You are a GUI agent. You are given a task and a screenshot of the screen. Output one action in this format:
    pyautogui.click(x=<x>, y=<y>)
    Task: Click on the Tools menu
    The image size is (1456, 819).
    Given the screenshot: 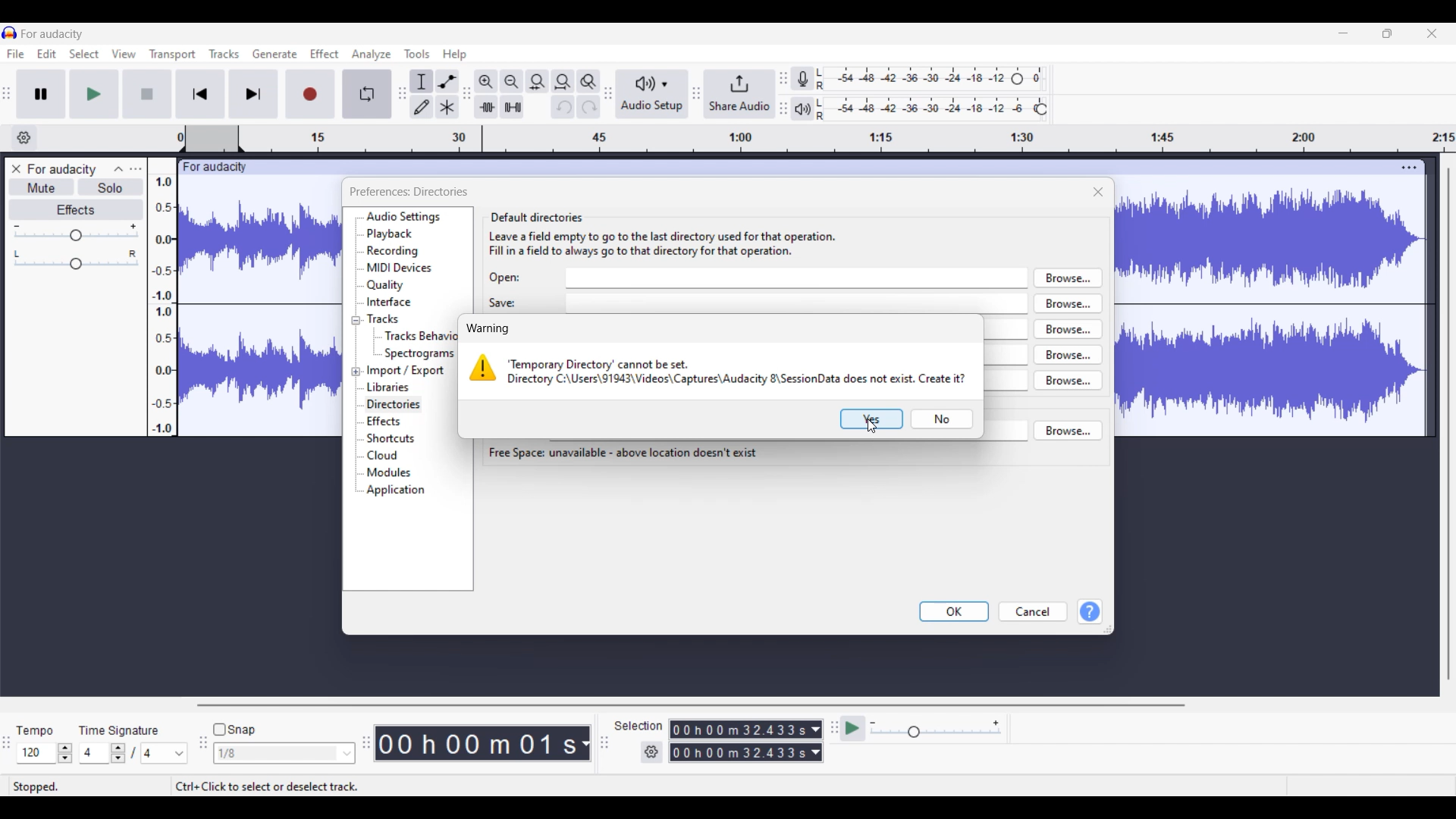 What is the action you would take?
    pyautogui.click(x=417, y=54)
    